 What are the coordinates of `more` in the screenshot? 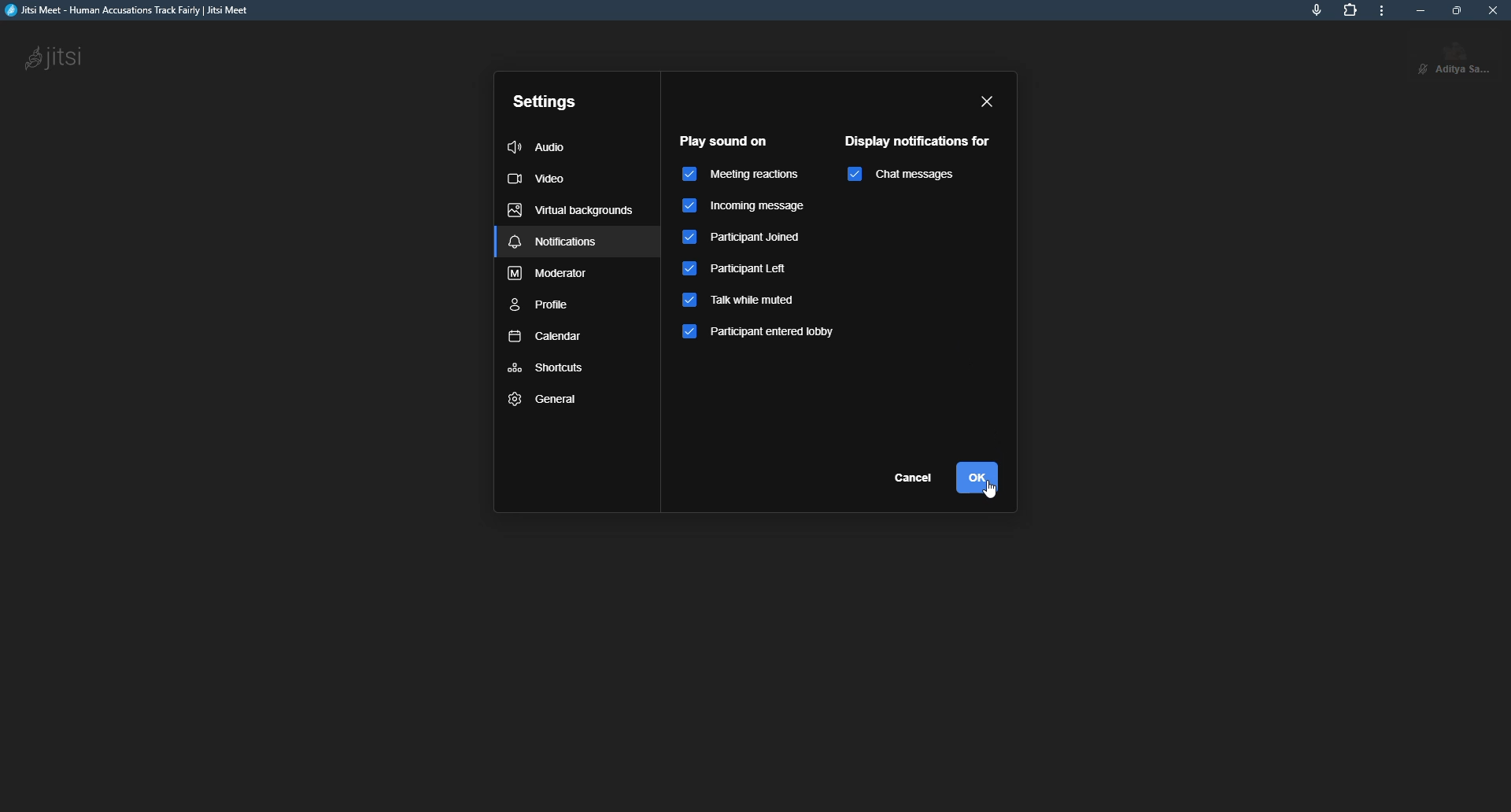 It's located at (1387, 12).